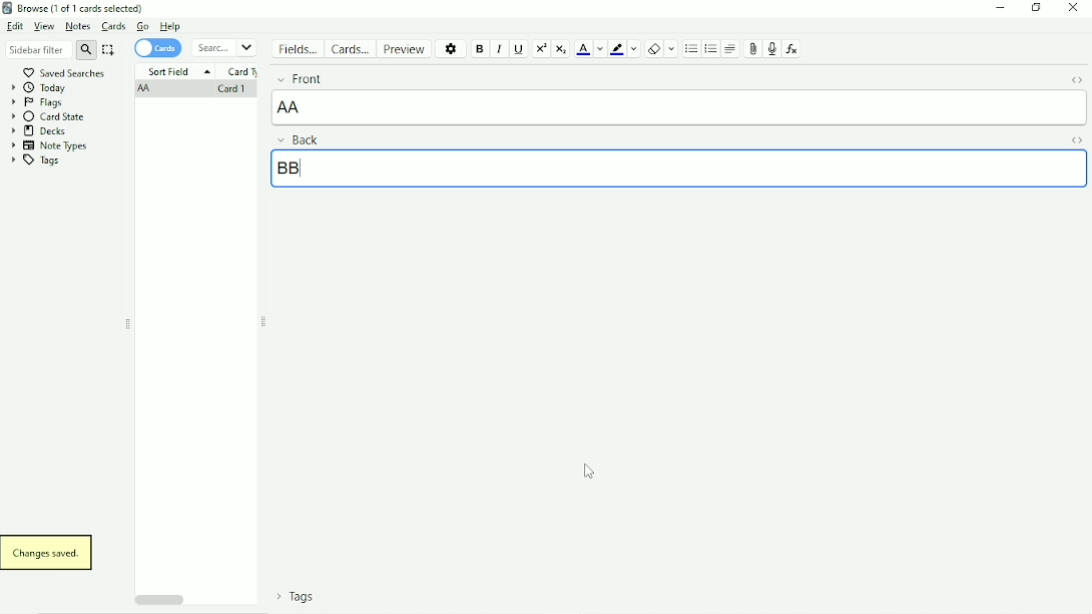  What do you see at coordinates (50, 146) in the screenshot?
I see `Note Types` at bounding box center [50, 146].